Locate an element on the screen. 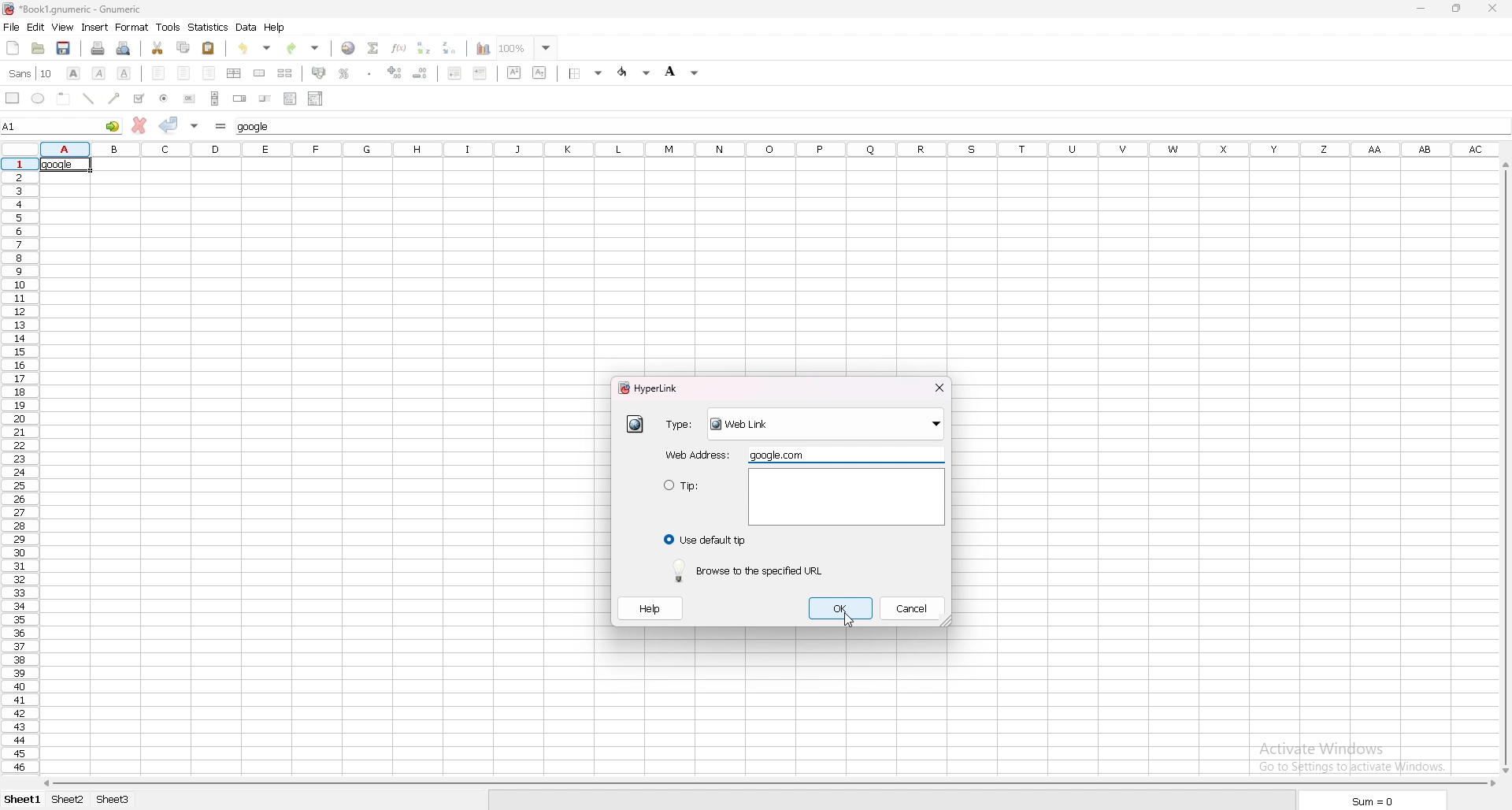  Activate Windows Go to Settings to activate windows is located at coordinates (1340, 736).